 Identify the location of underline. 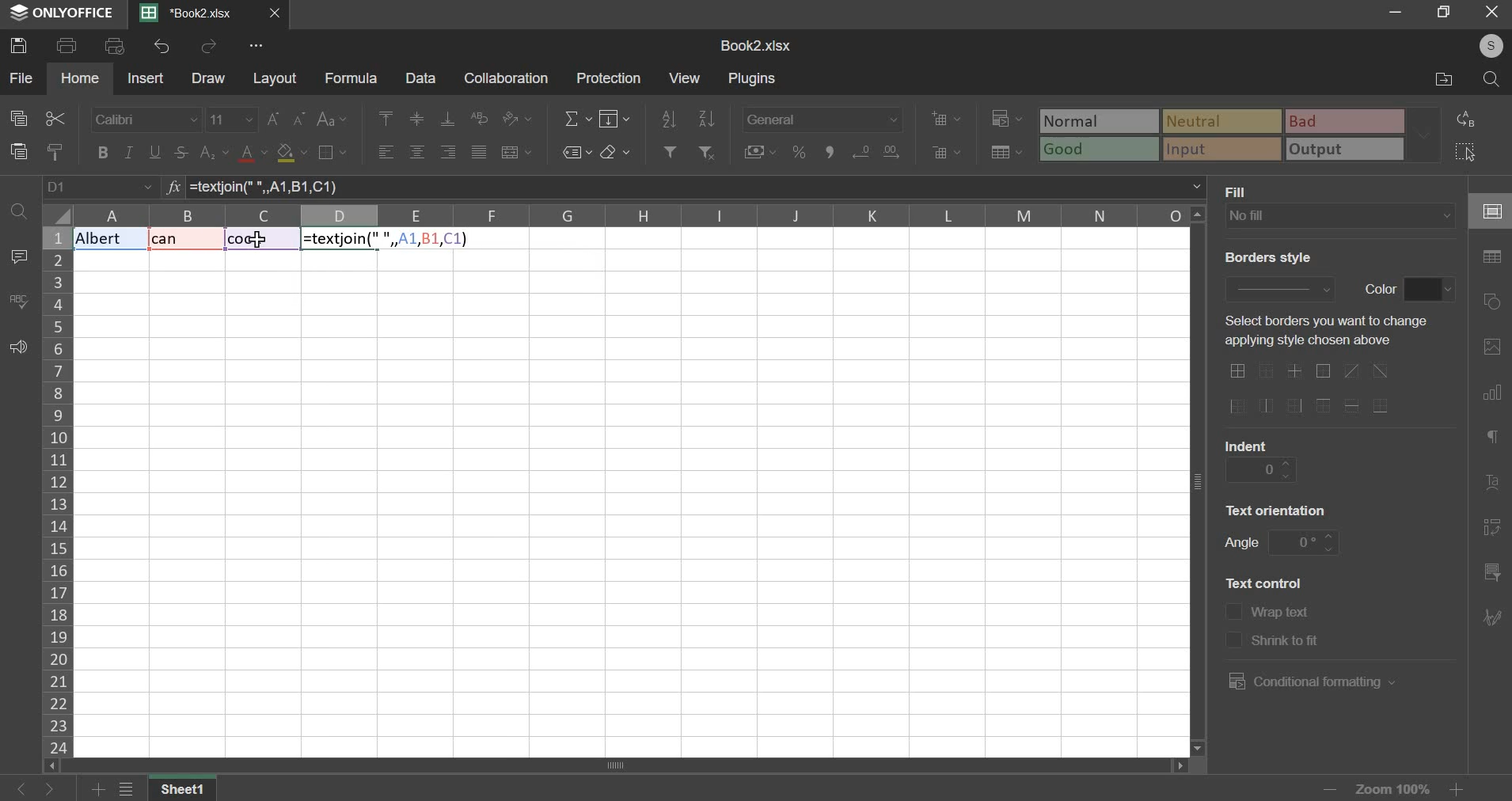
(156, 152).